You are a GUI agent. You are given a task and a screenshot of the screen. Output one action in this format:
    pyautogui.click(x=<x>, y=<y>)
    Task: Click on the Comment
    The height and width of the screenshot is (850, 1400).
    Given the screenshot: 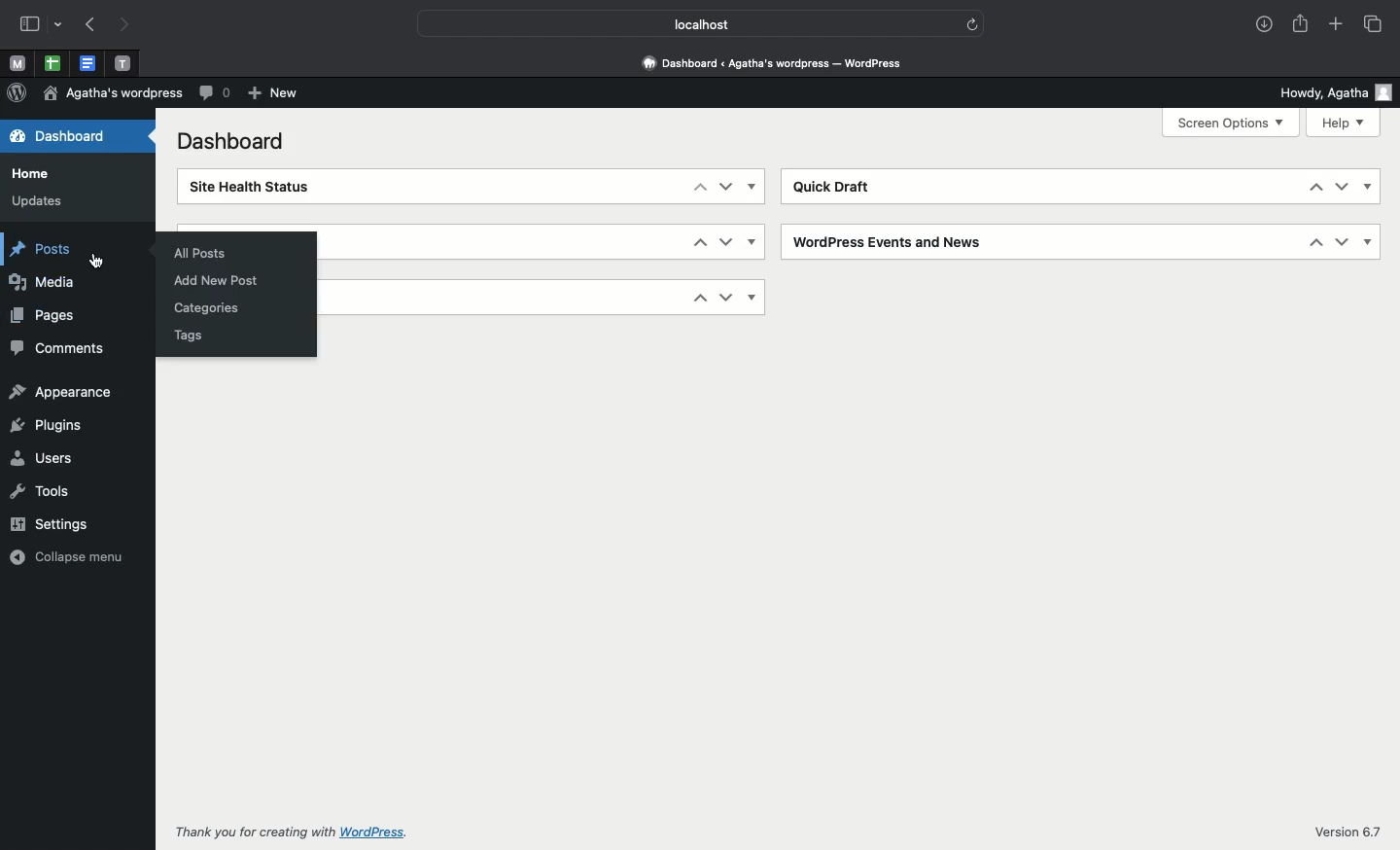 What is the action you would take?
    pyautogui.click(x=216, y=93)
    